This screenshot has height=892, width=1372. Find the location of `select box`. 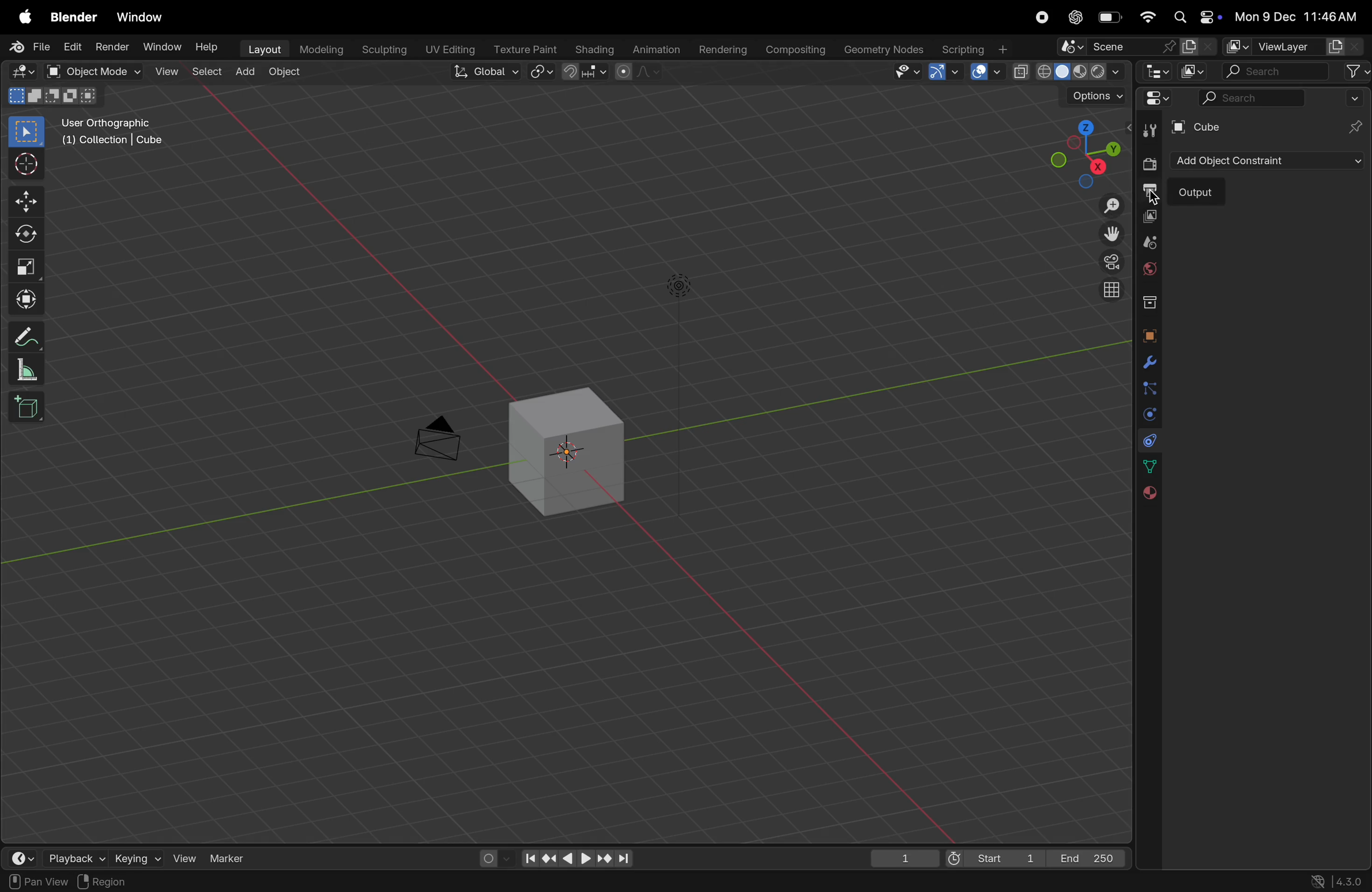

select box is located at coordinates (26, 133).